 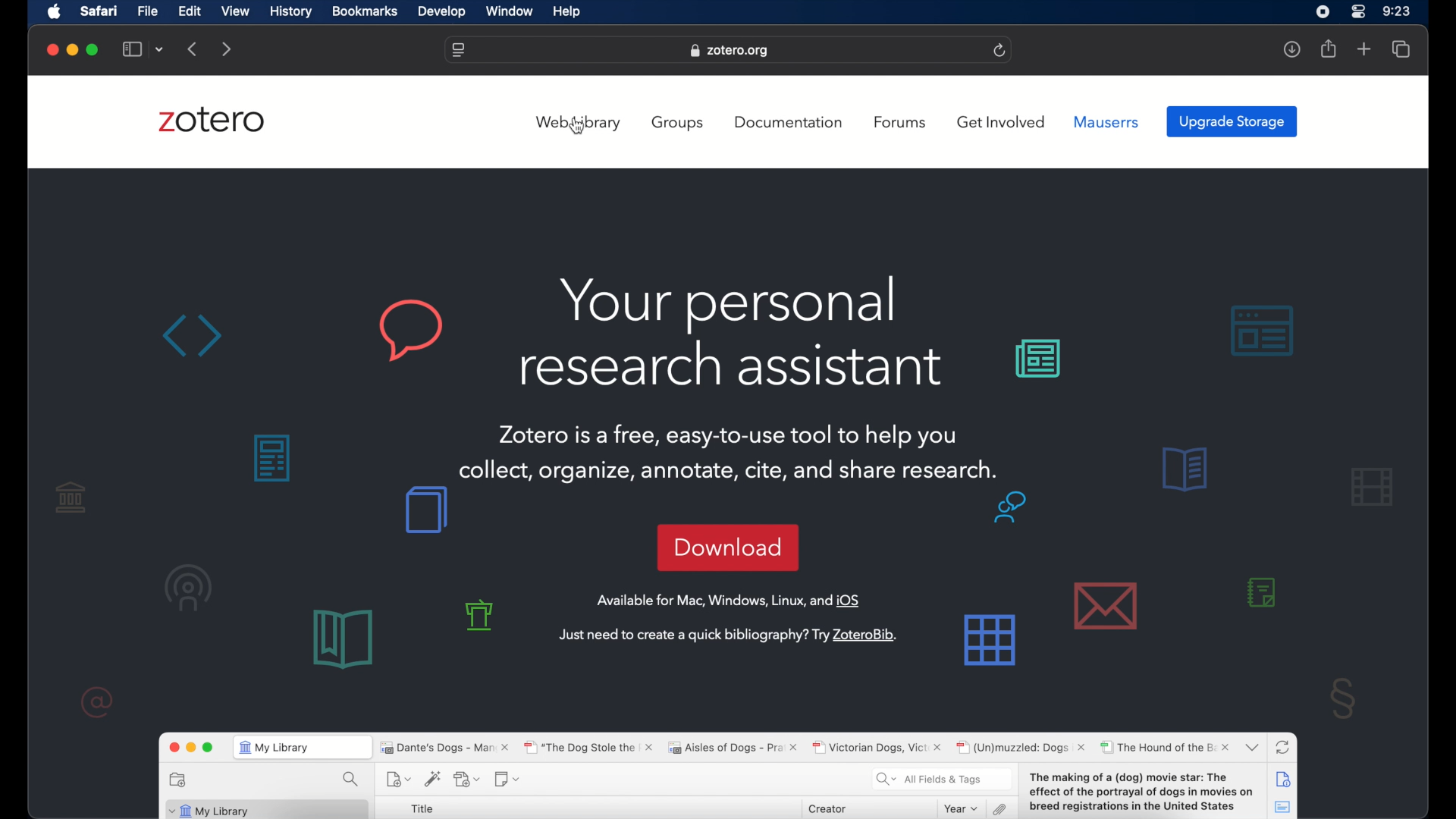 What do you see at coordinates (1000, 51) in the screenshot?
I see `refresh` at bounding box center [1000, 51].